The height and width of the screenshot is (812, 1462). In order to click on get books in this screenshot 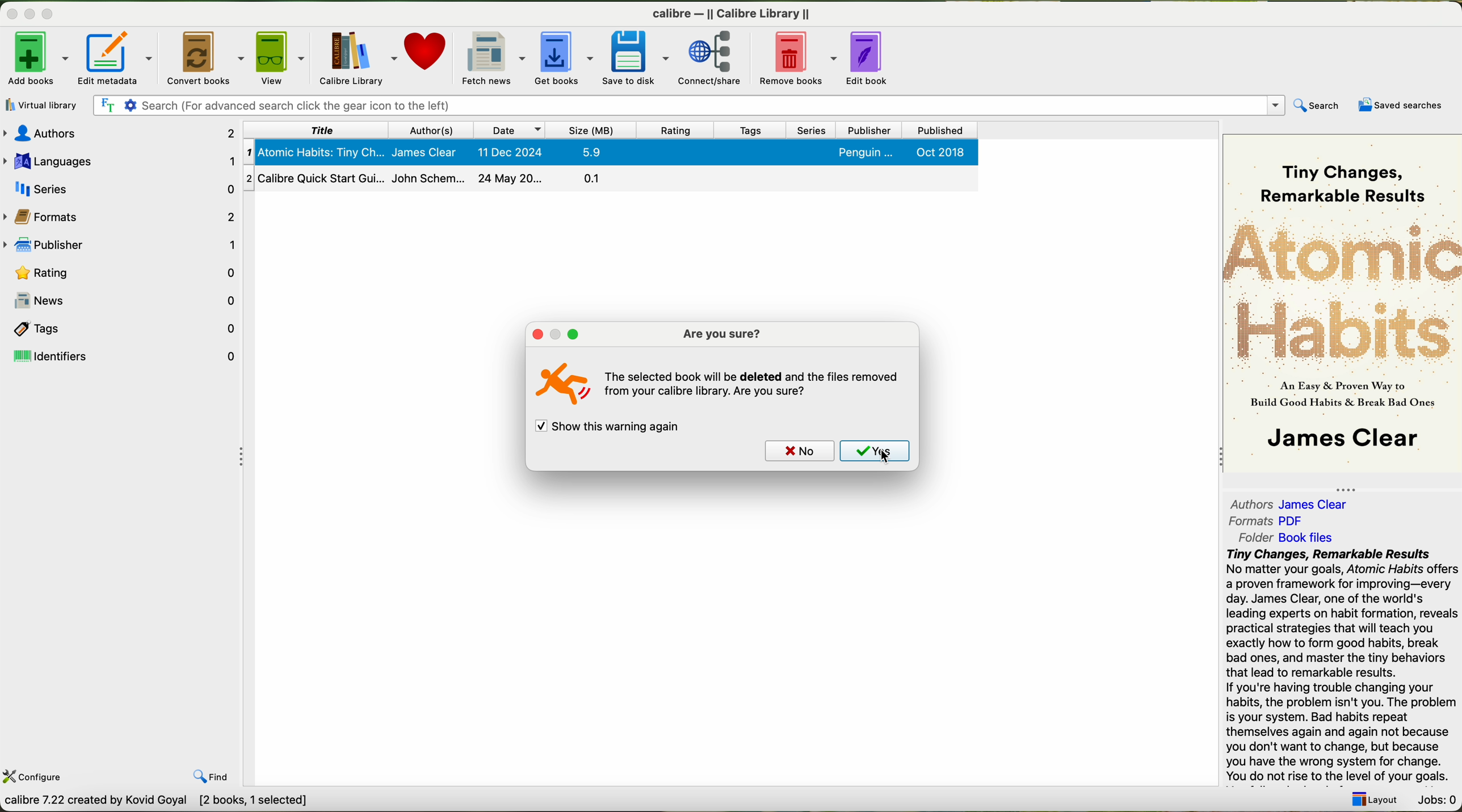, I will do `click(561, 58)`.